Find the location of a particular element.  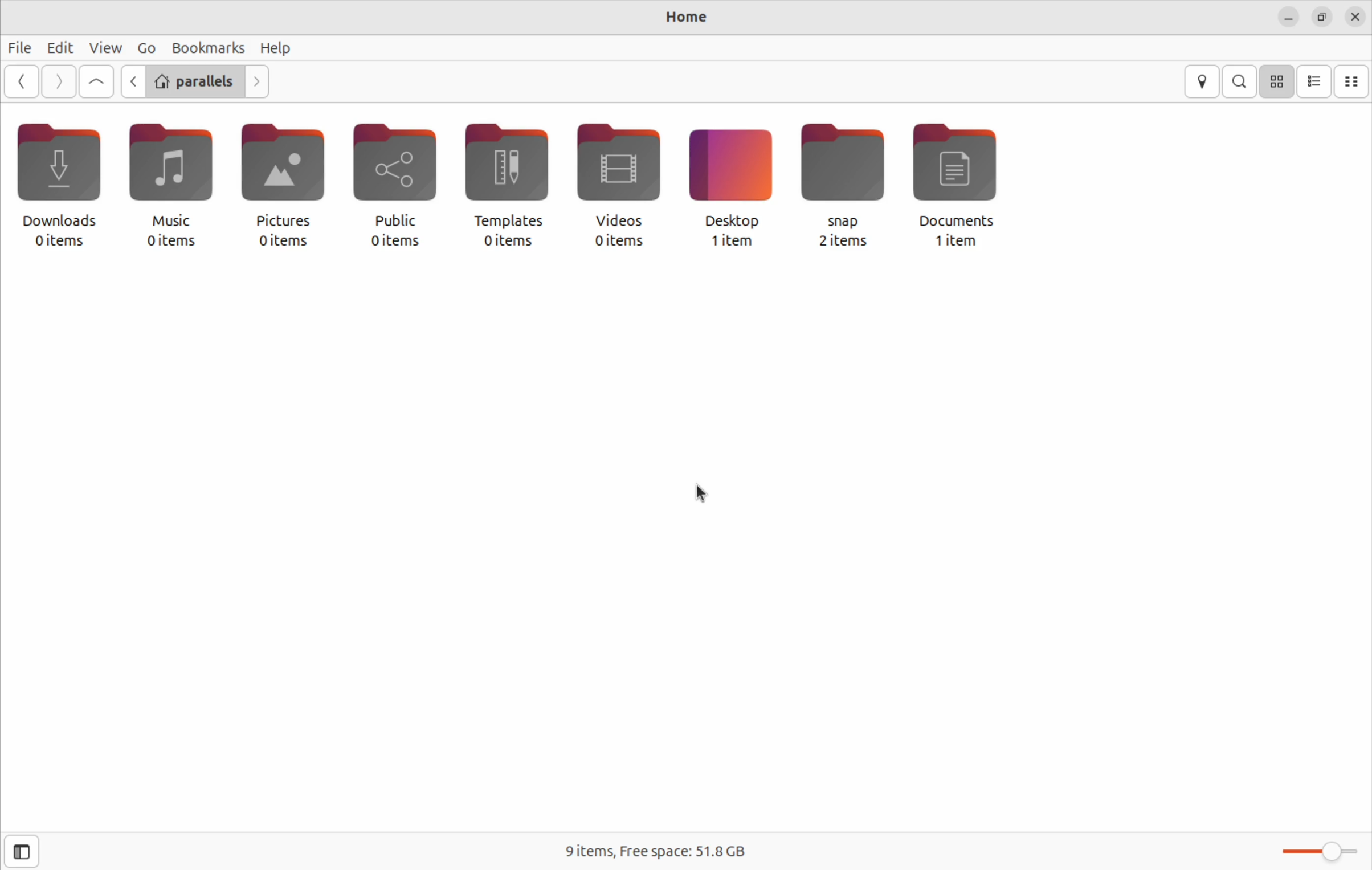

desktop is located at coordinates (732, 170).